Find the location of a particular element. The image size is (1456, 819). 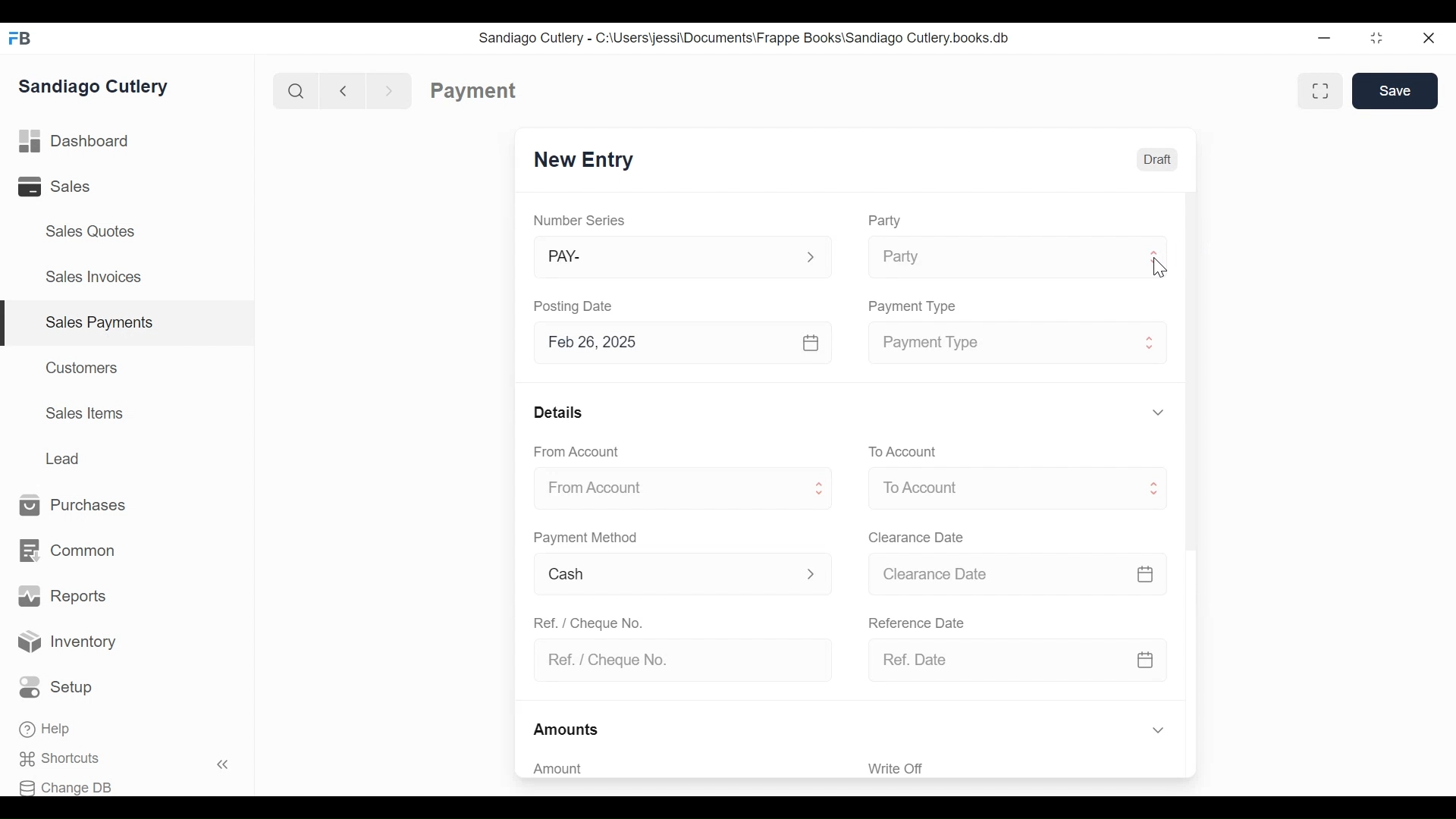

To Account is located at coordinates (999, 488).